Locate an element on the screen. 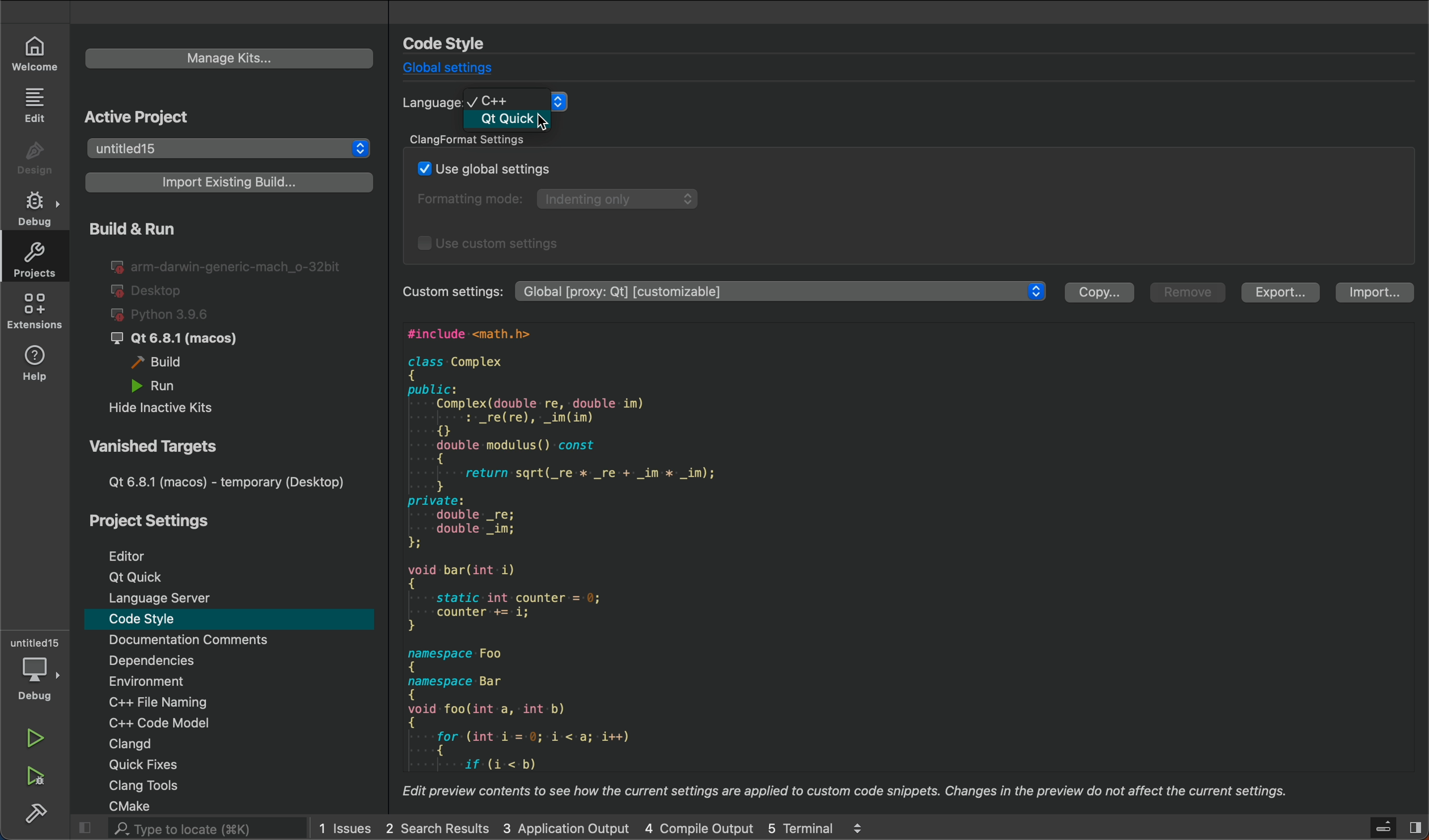 The width and height of the screenshot is (1429, 840). help is located at coordinates (36, 366).